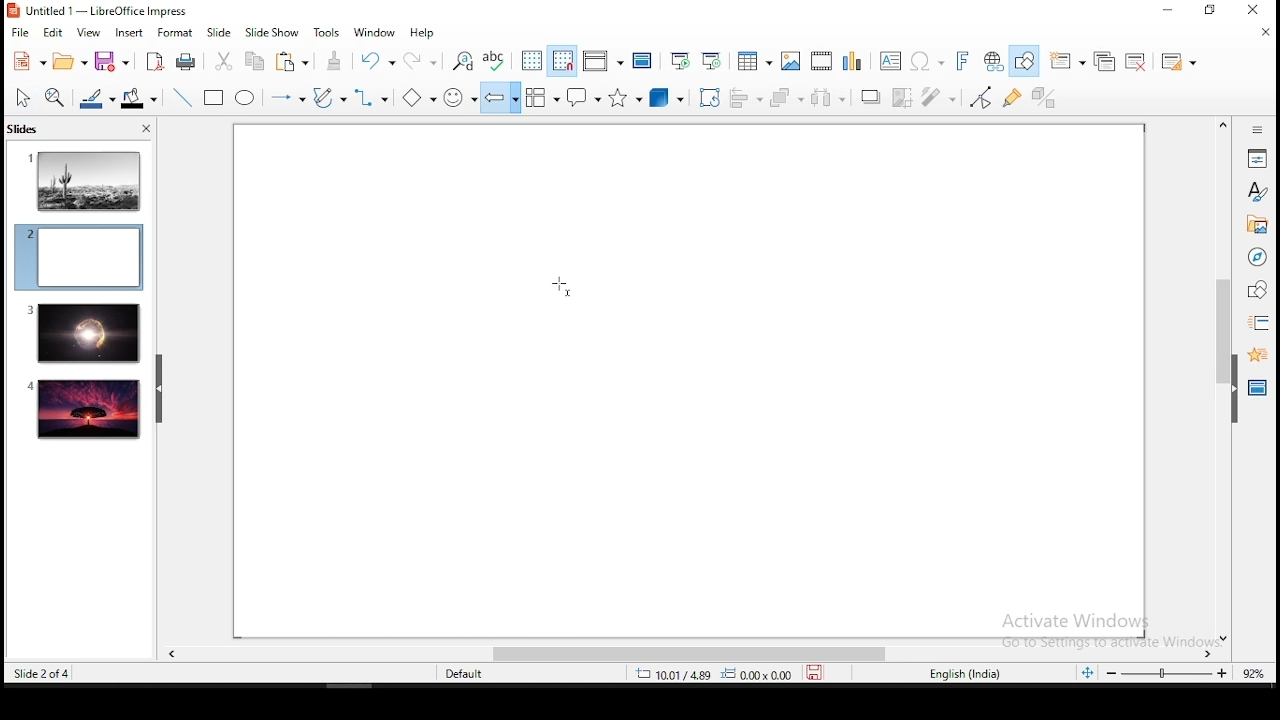  Describe the element at coordinates (994, 62) in the screenshot. I see `hyperlink` at that location.